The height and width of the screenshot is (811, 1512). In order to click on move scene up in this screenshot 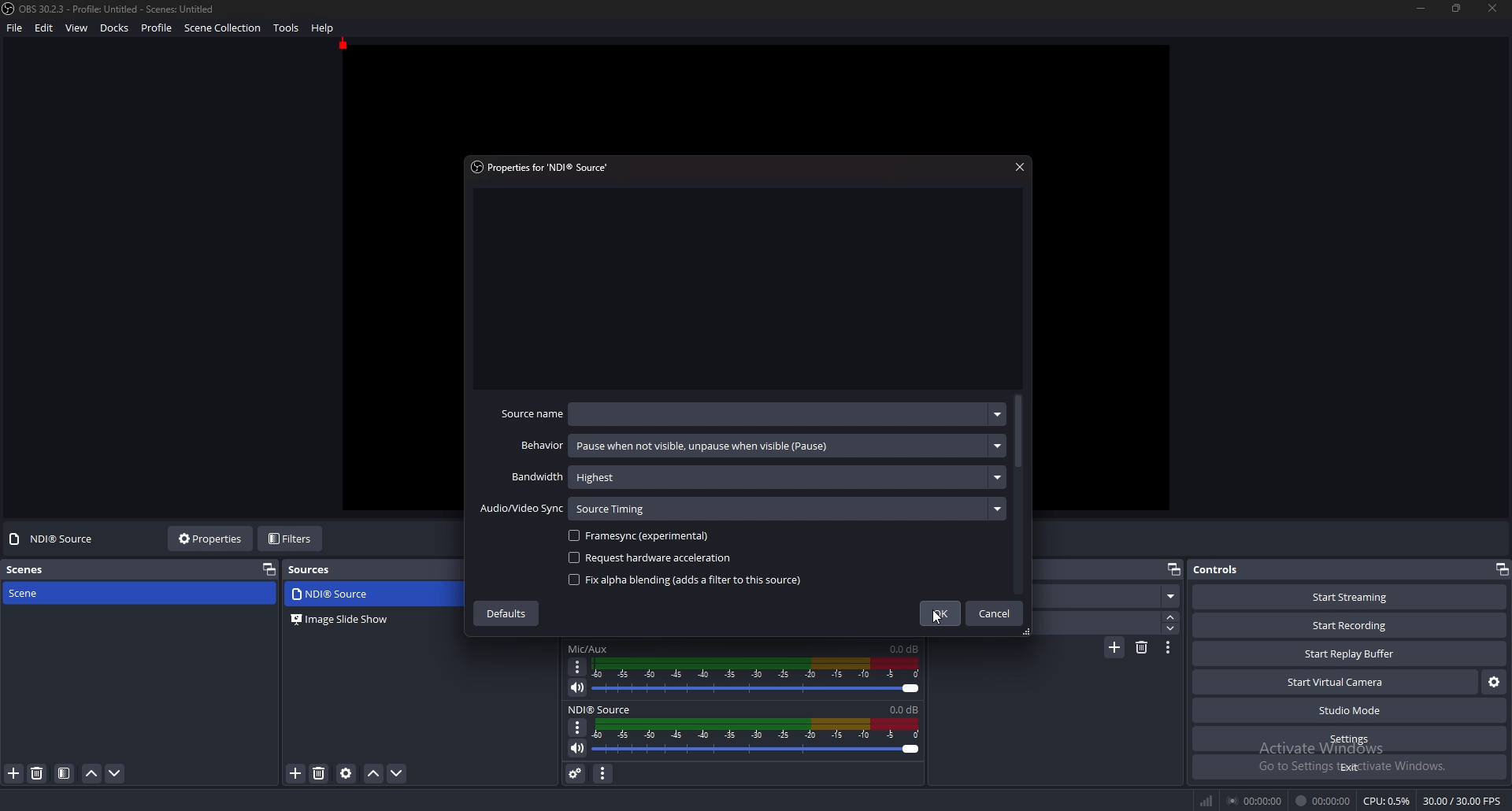, I will do `click(91, 774)`.